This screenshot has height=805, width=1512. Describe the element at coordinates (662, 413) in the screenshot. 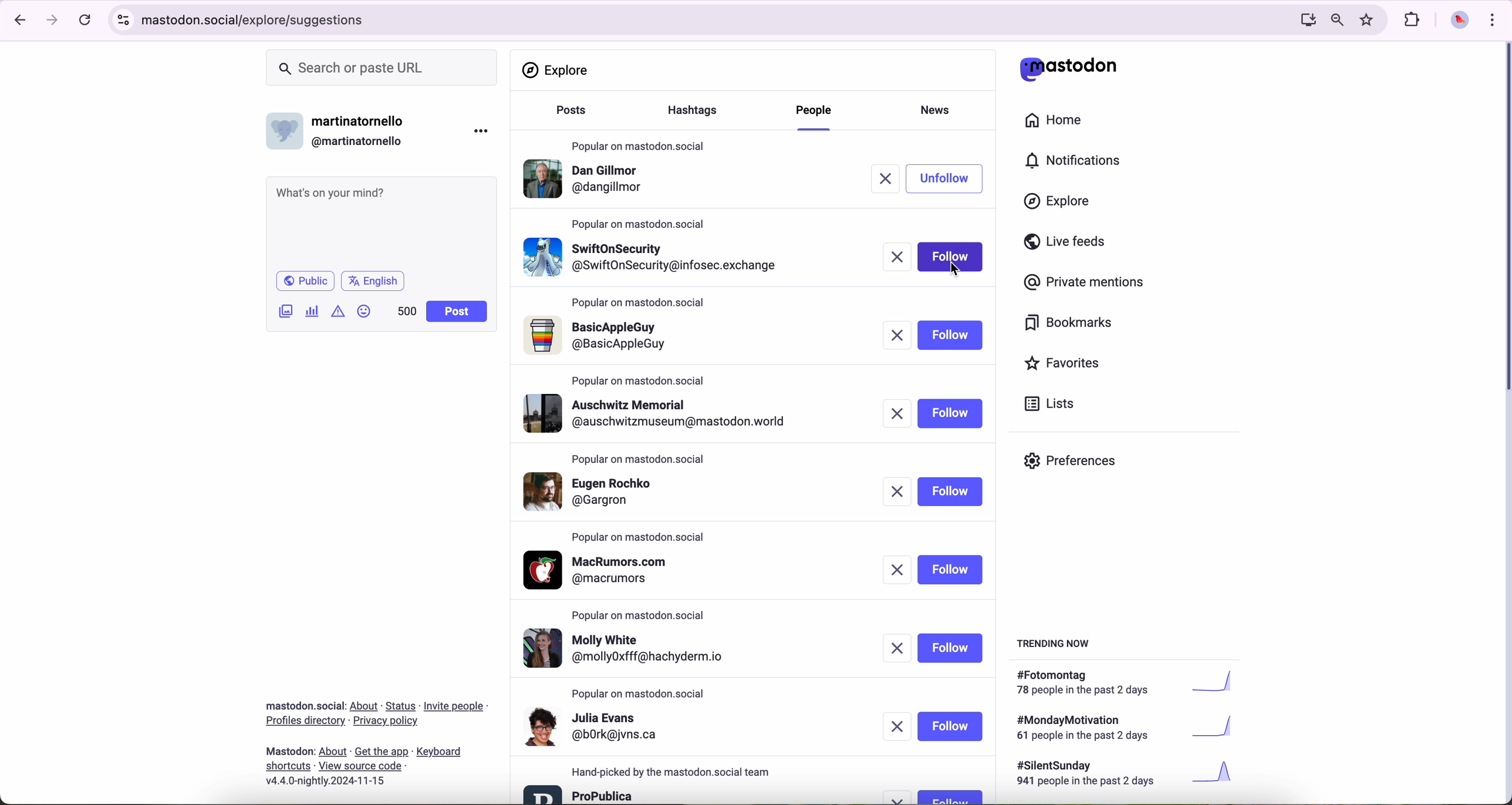

I see `profile` at that location.